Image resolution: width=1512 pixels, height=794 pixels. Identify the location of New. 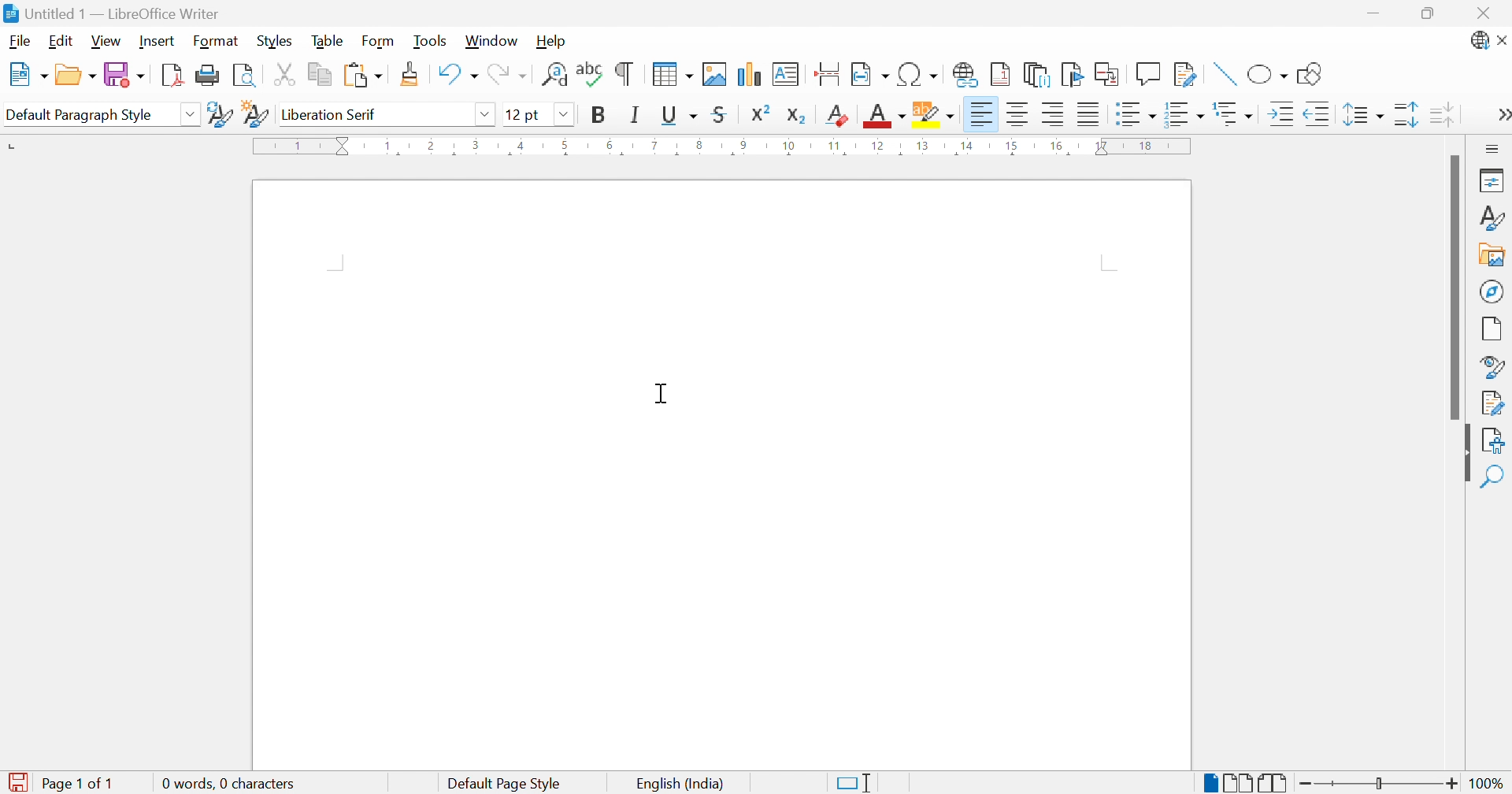
(27, 76).